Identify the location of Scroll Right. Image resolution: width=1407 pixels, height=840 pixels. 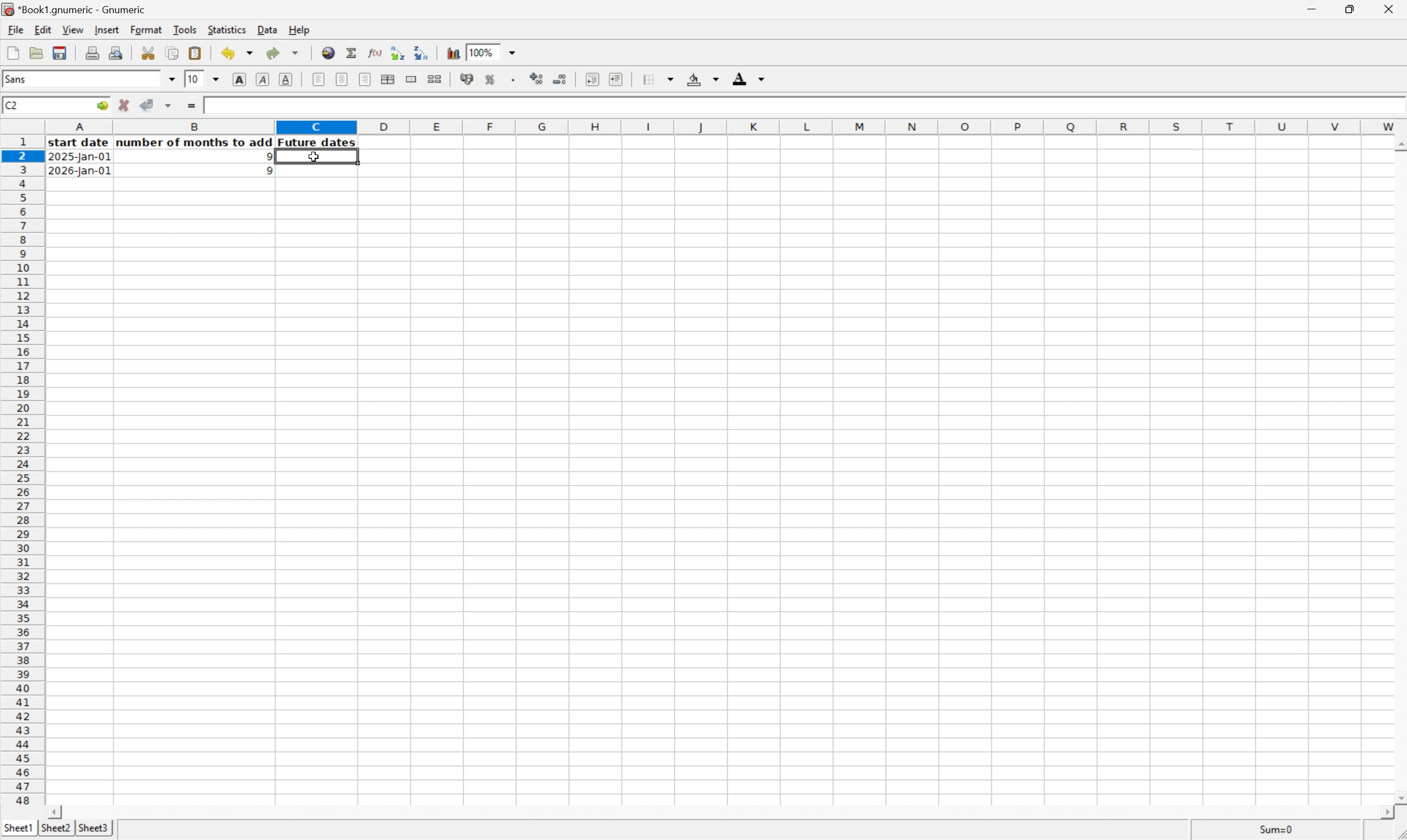
(1383, 812).